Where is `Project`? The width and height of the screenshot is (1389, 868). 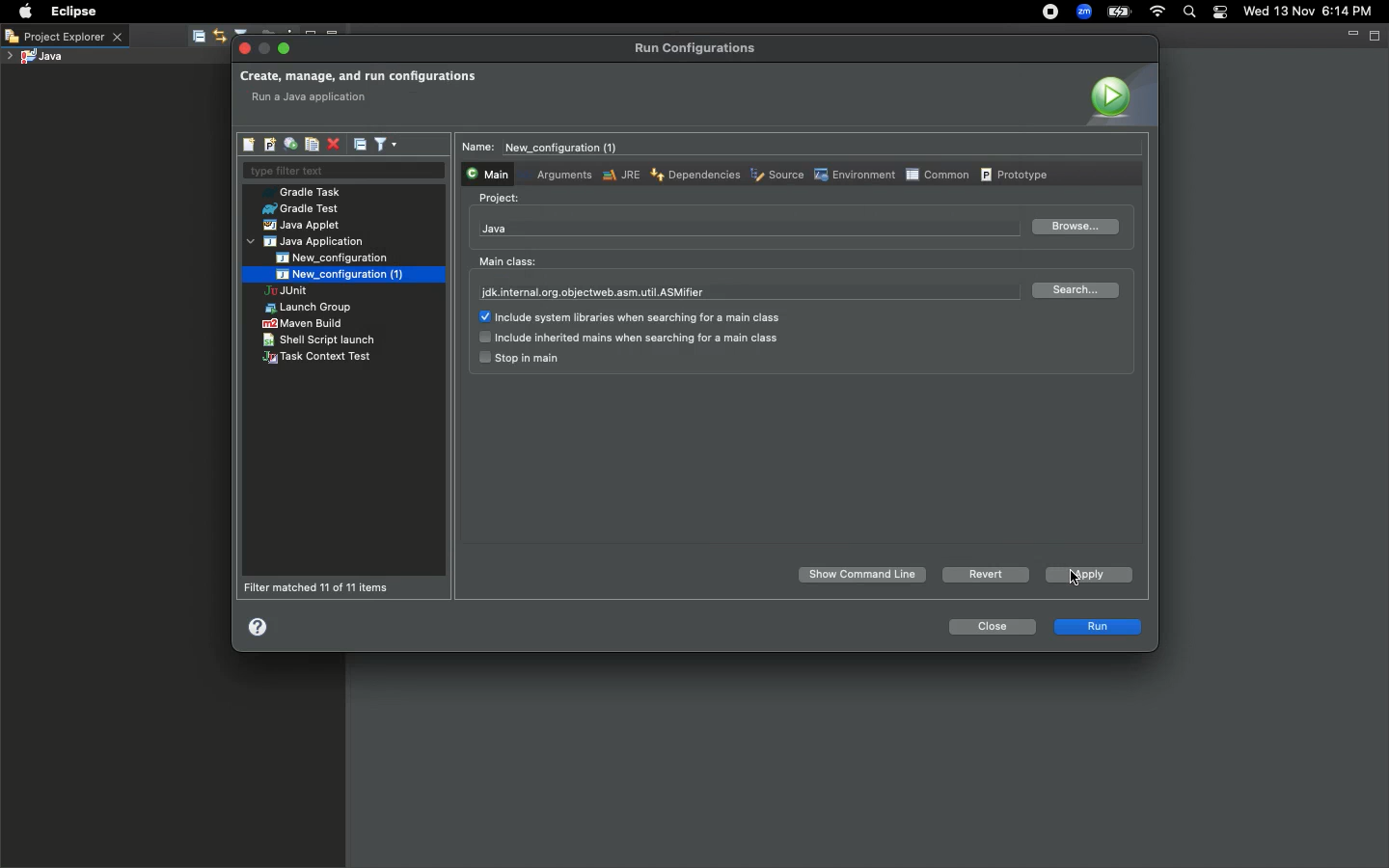 Project is located at coordinates (500, 199).